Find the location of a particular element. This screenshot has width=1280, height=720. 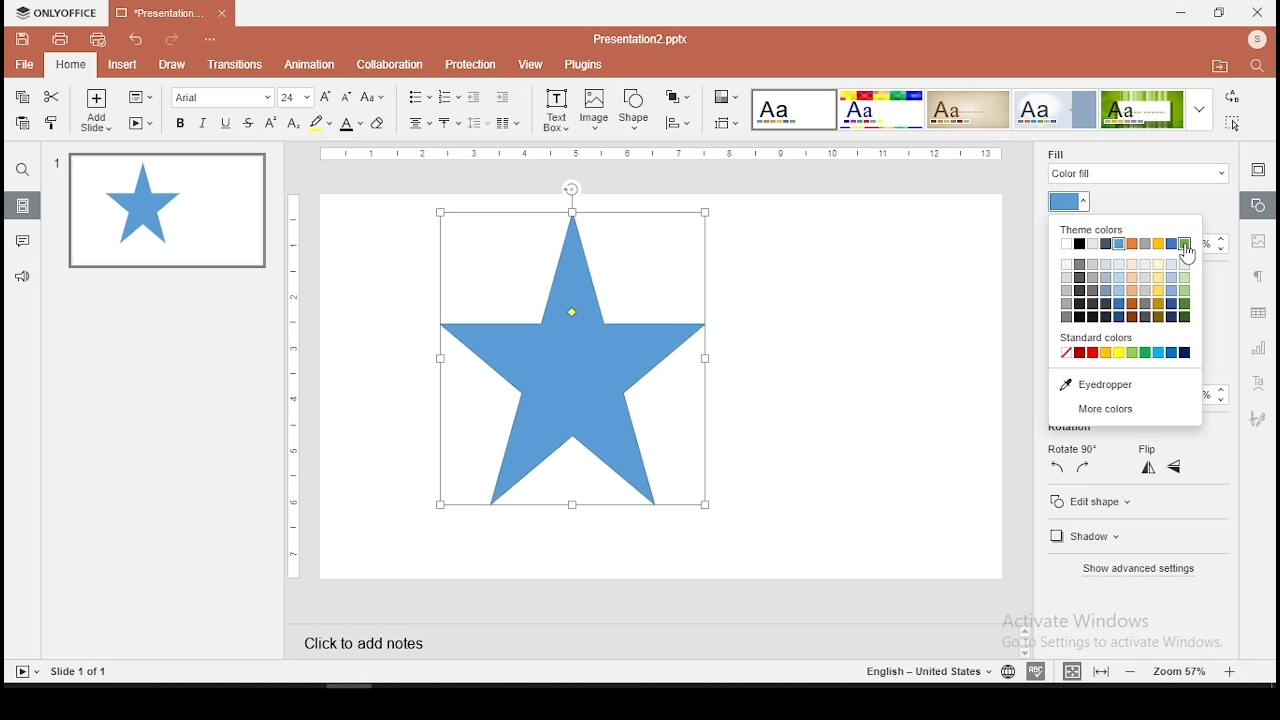

 is located at coordinates (880, 110).